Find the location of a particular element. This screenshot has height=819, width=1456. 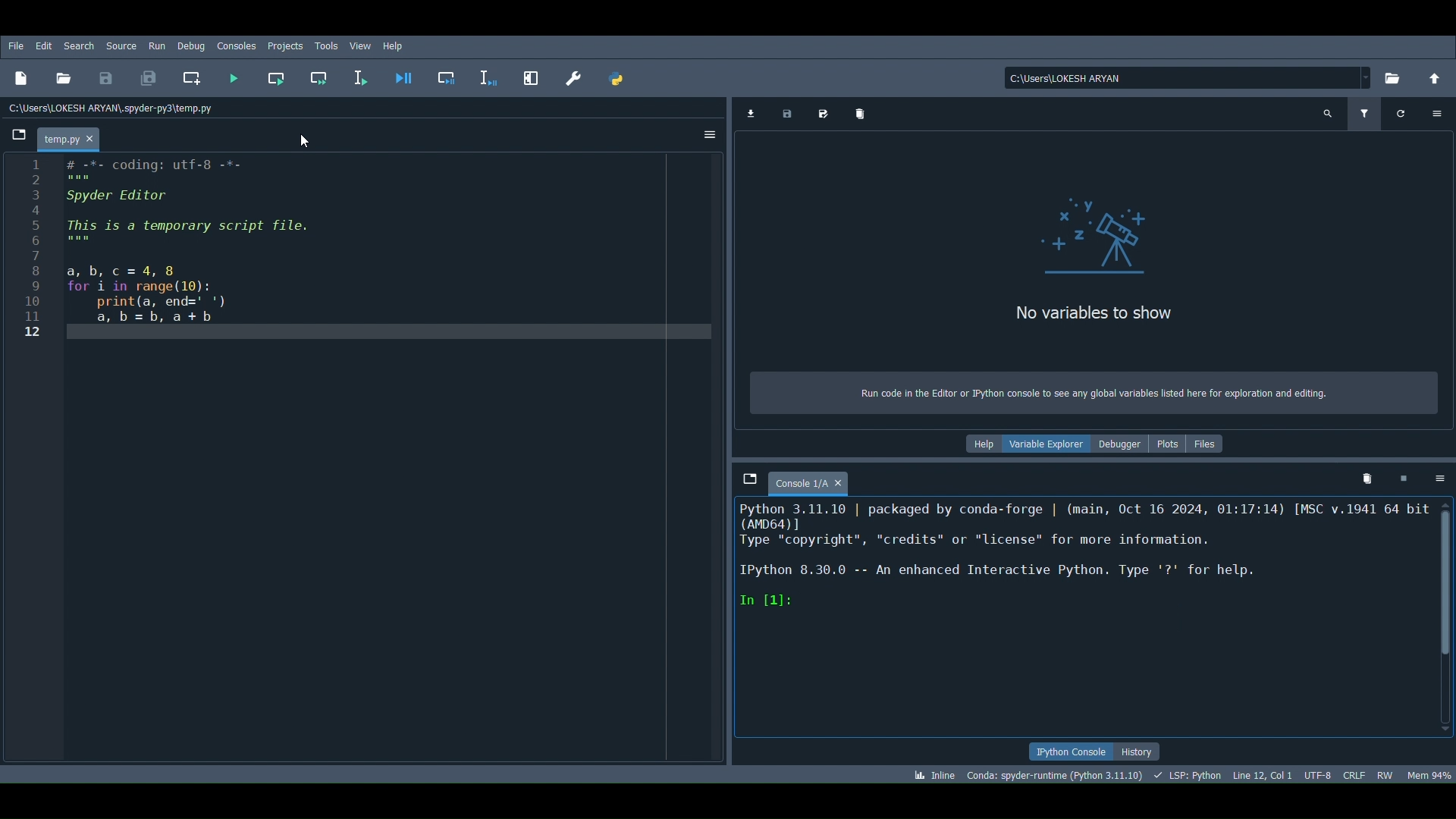

Open file (Ctrl + O) is located at coordinates (65, 77).